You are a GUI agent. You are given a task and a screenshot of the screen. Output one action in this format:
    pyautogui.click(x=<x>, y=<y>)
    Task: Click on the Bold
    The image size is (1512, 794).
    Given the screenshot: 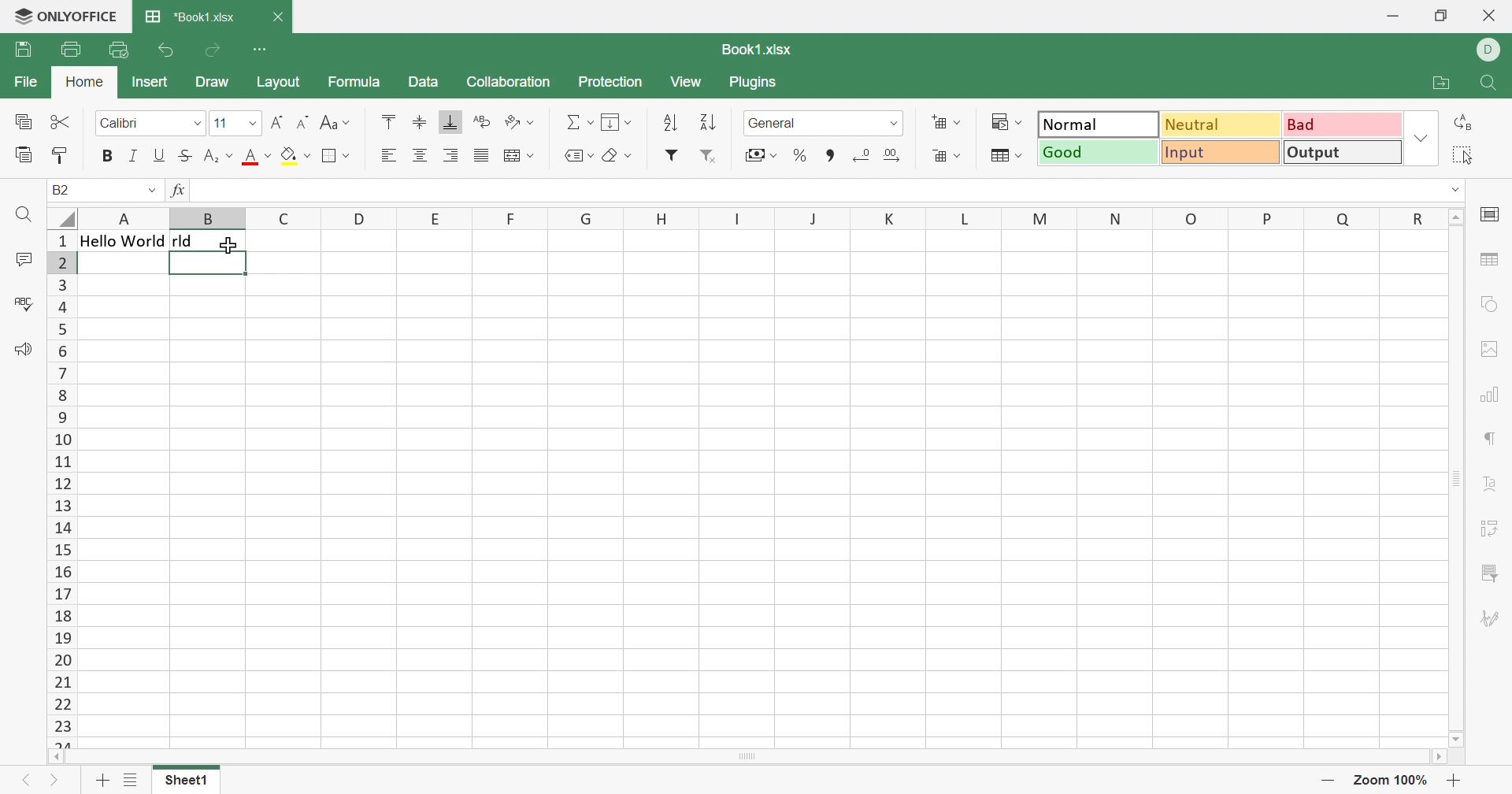 What is the action you would take?
    pyautogui.click(x=109, y=156)
    